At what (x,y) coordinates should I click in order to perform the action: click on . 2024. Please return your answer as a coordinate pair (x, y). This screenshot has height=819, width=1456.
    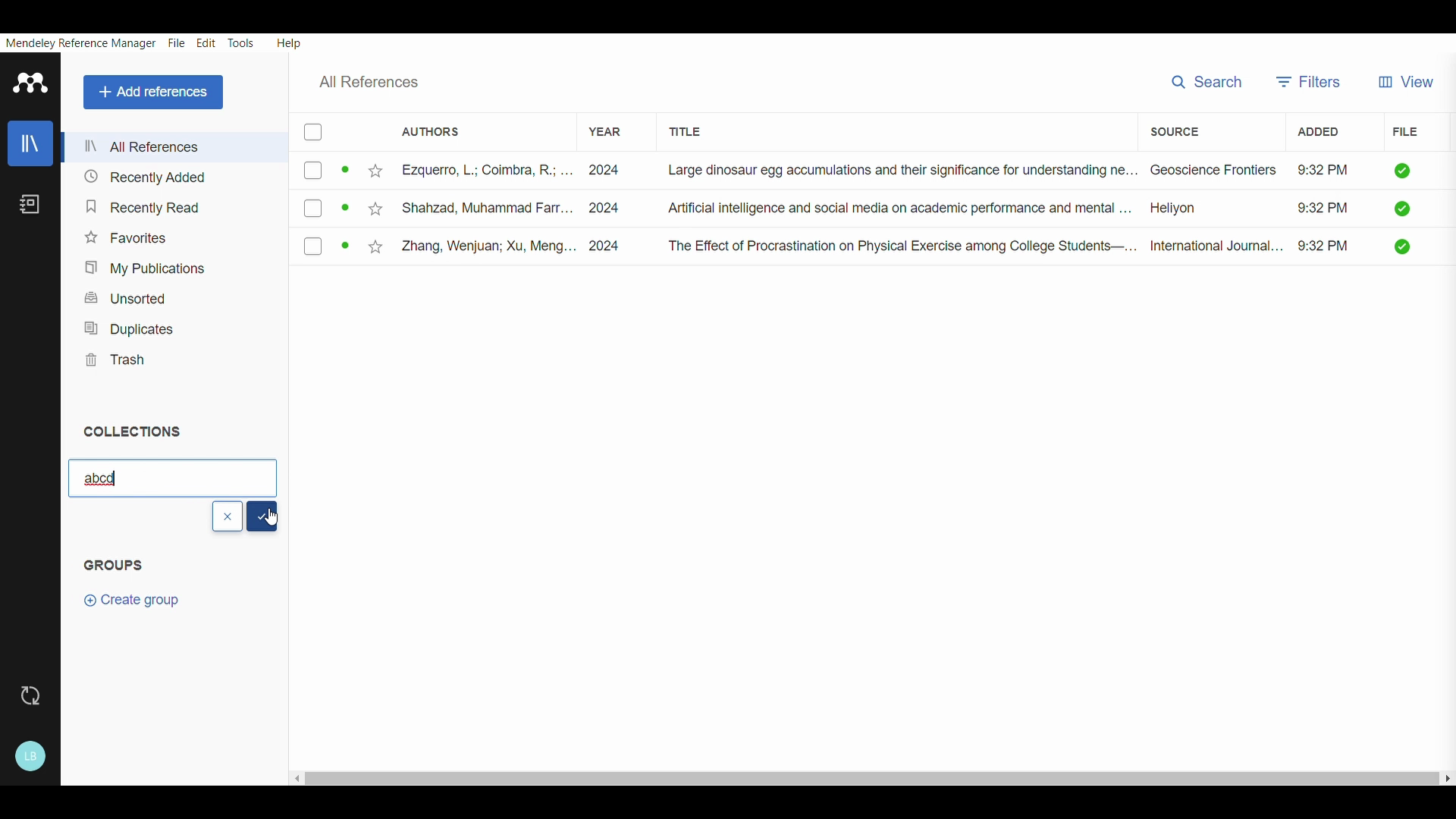
    Looking at the image, I should click on (604, 170).